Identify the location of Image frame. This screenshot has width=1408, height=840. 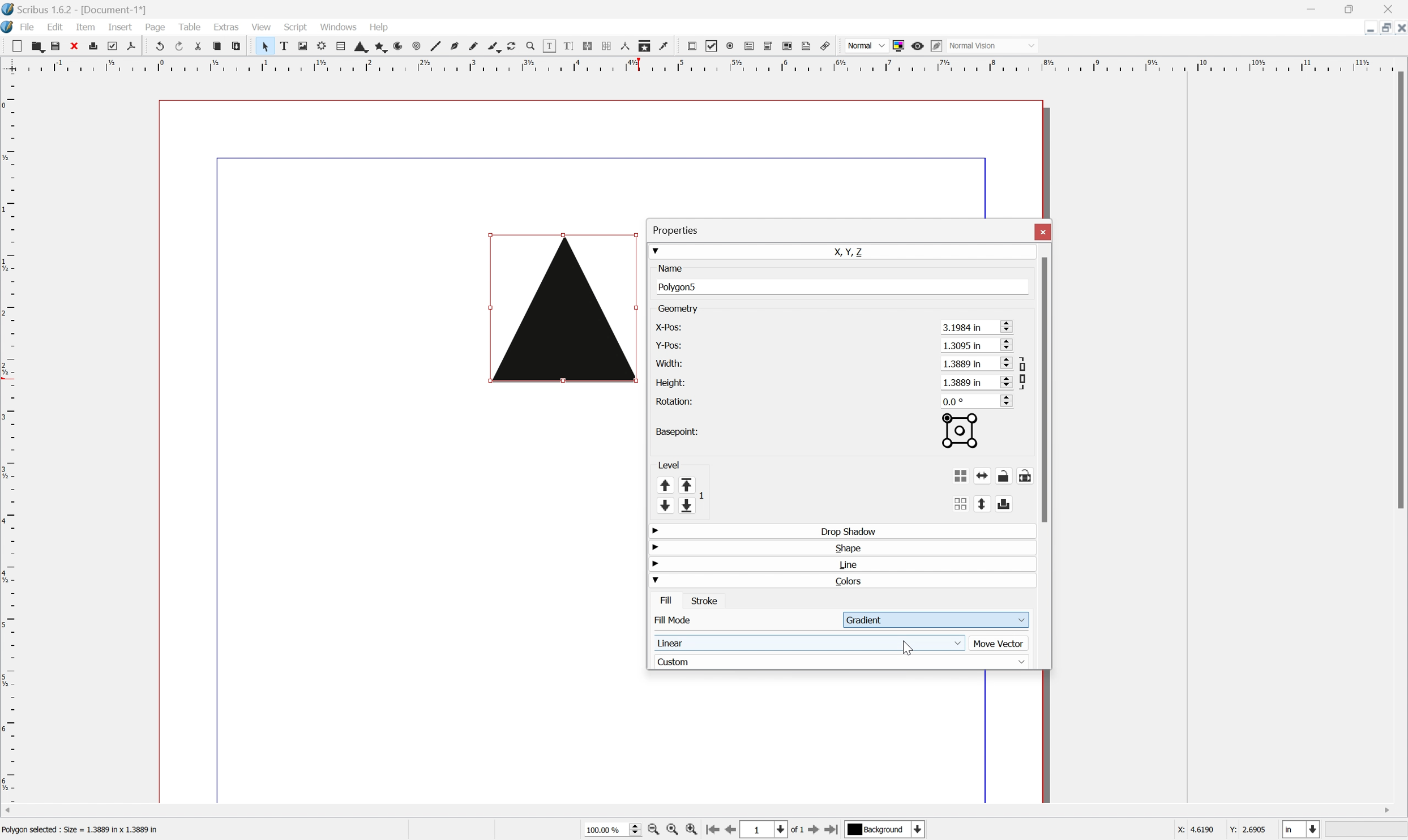
(303, 45).